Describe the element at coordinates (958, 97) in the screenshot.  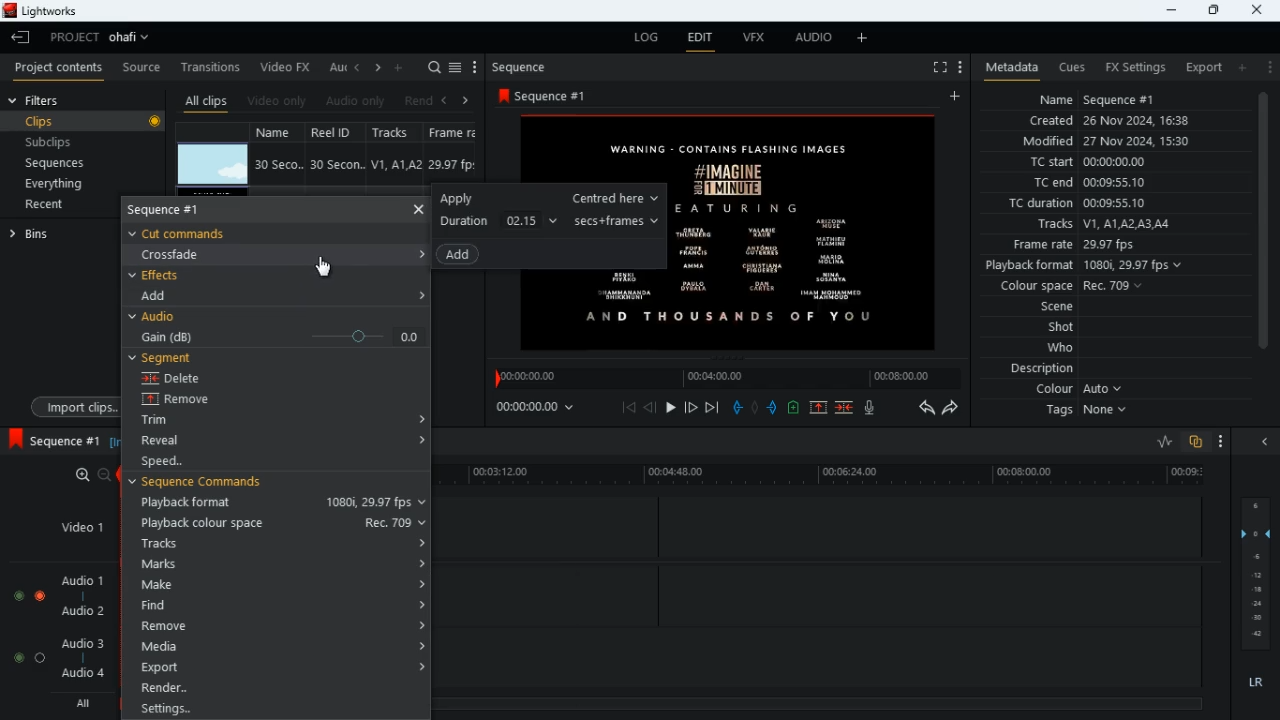
I see `add` at that location.